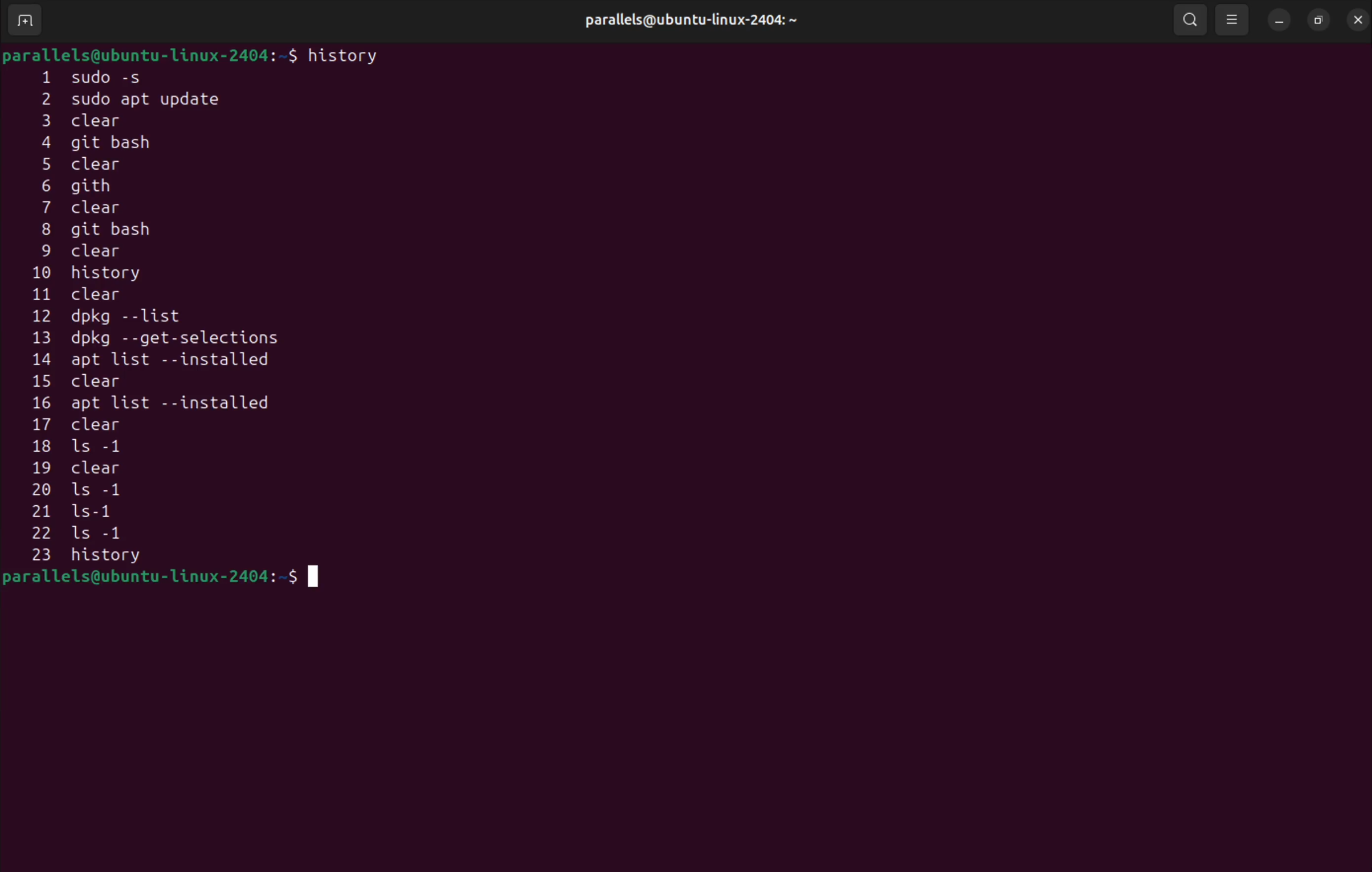 The image size is (1372, 872). Describe the element at coordinates (81, 468) in the screenshot. I see `19 clear` at that location.